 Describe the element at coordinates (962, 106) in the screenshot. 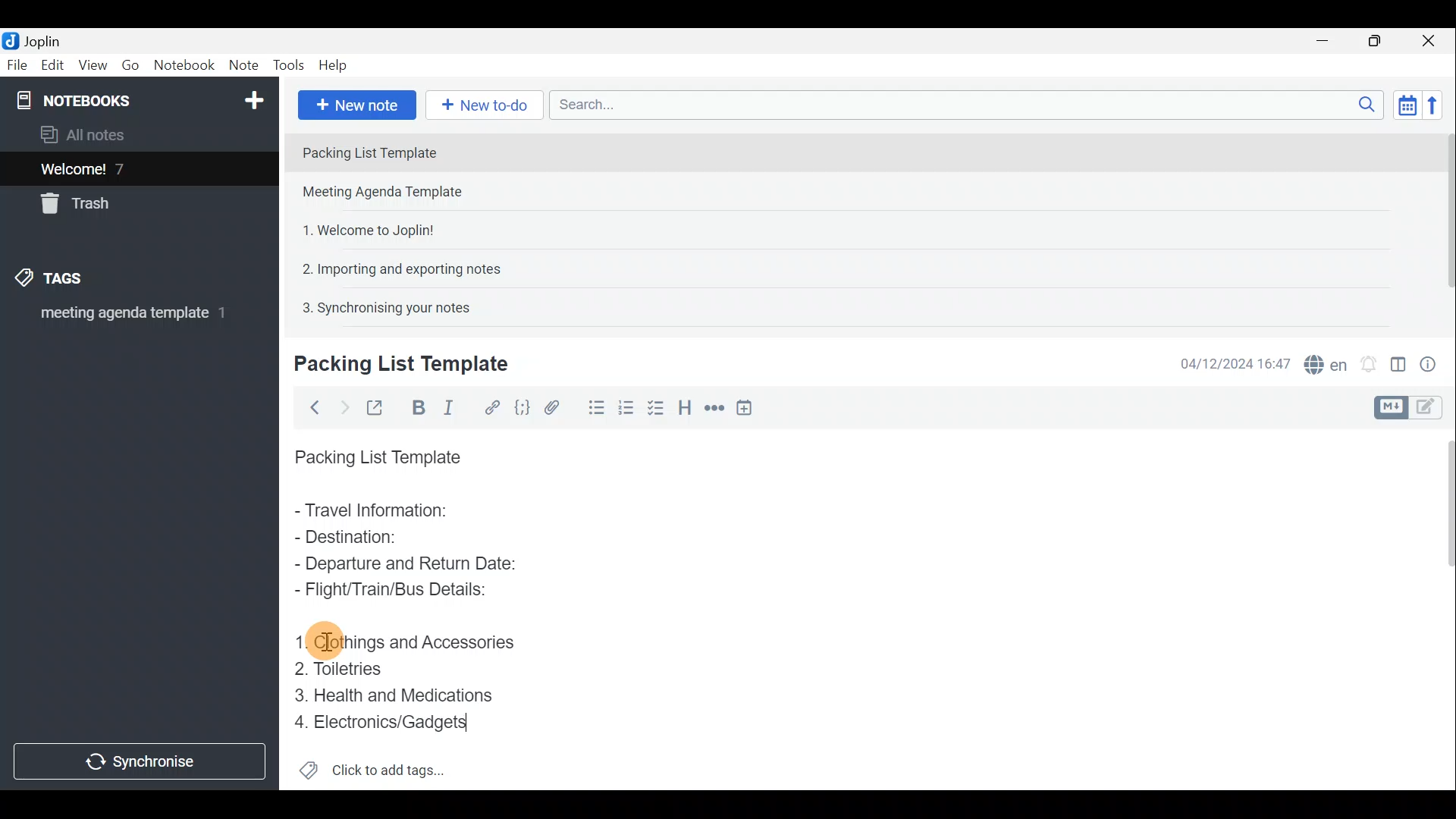

I see `Search bar` at that location.